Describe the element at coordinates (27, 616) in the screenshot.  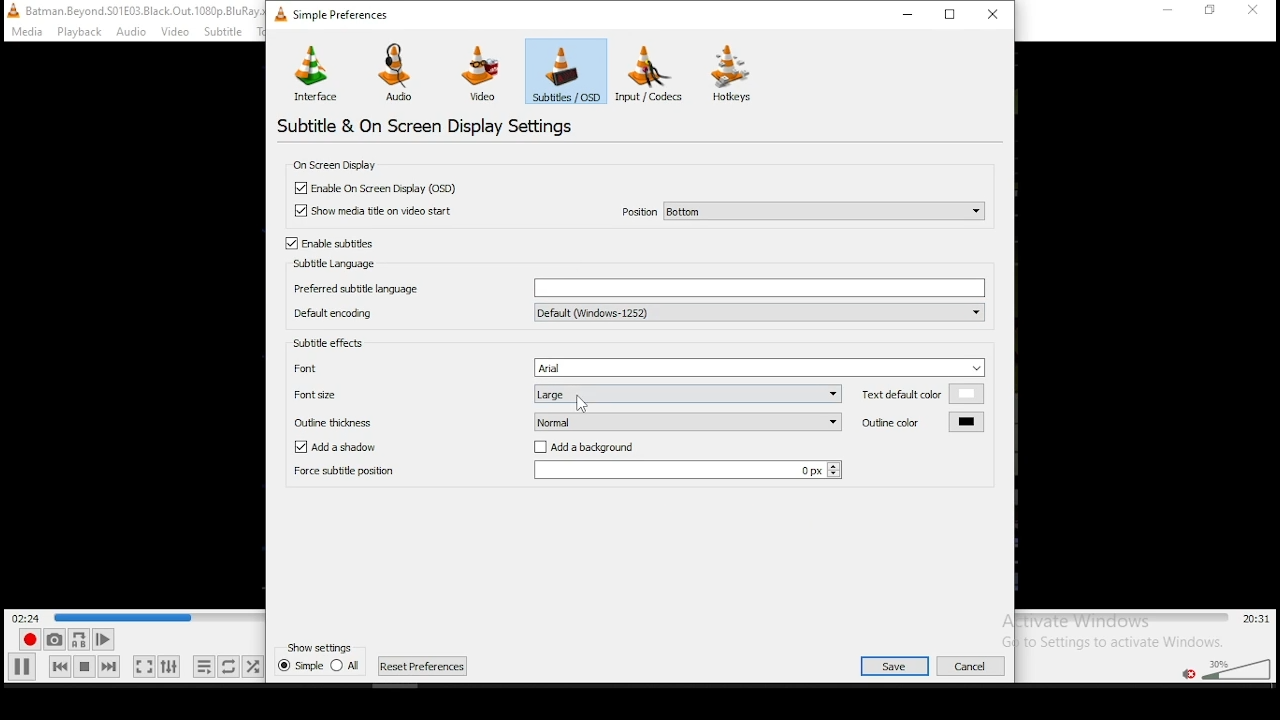
I see `elapsed time` at that location.